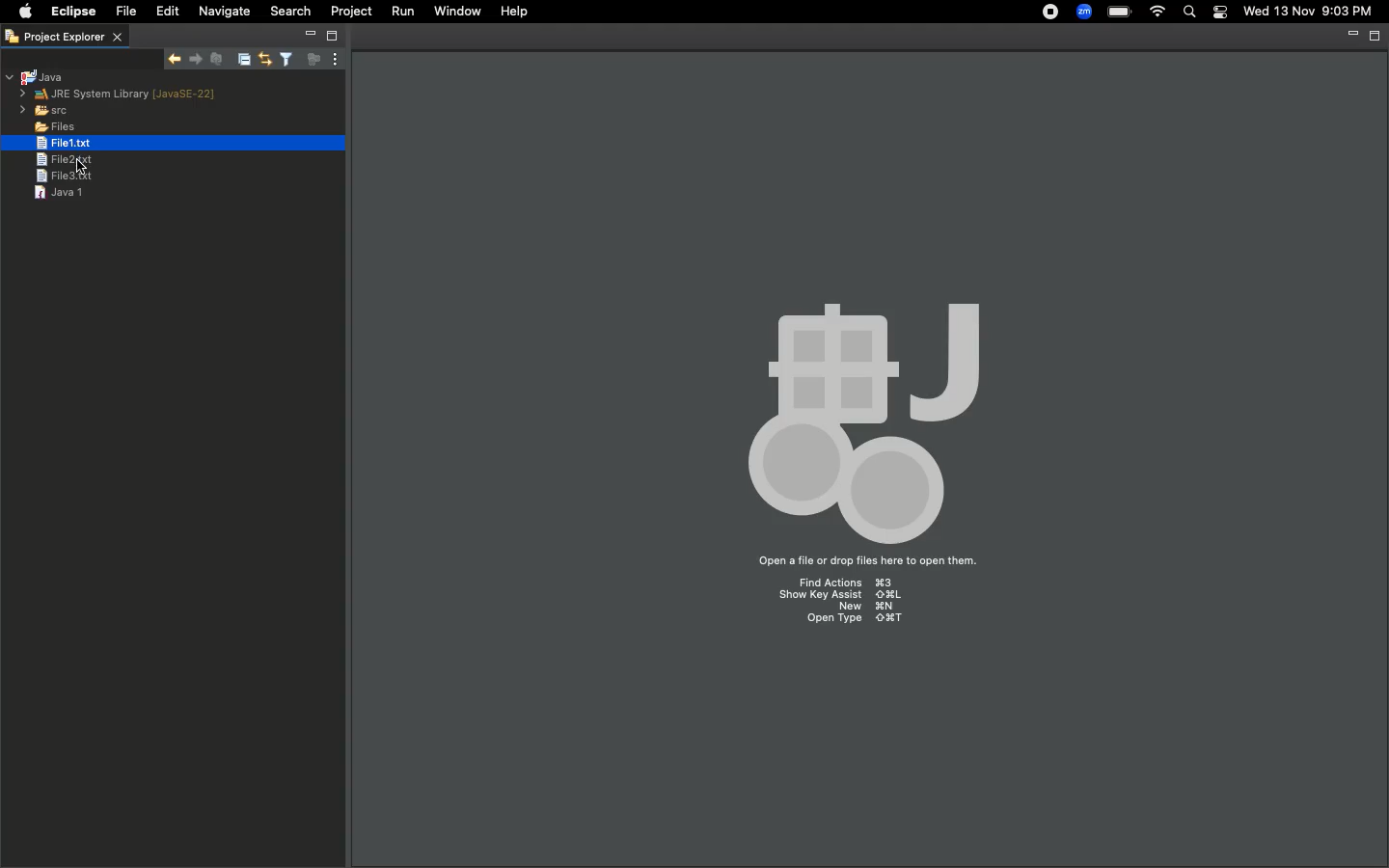 The width and height of the screenshot is (1389, 868). Describe the element at coordinates (1373, 38) in the screenshot. I see `Maximize` at that location.